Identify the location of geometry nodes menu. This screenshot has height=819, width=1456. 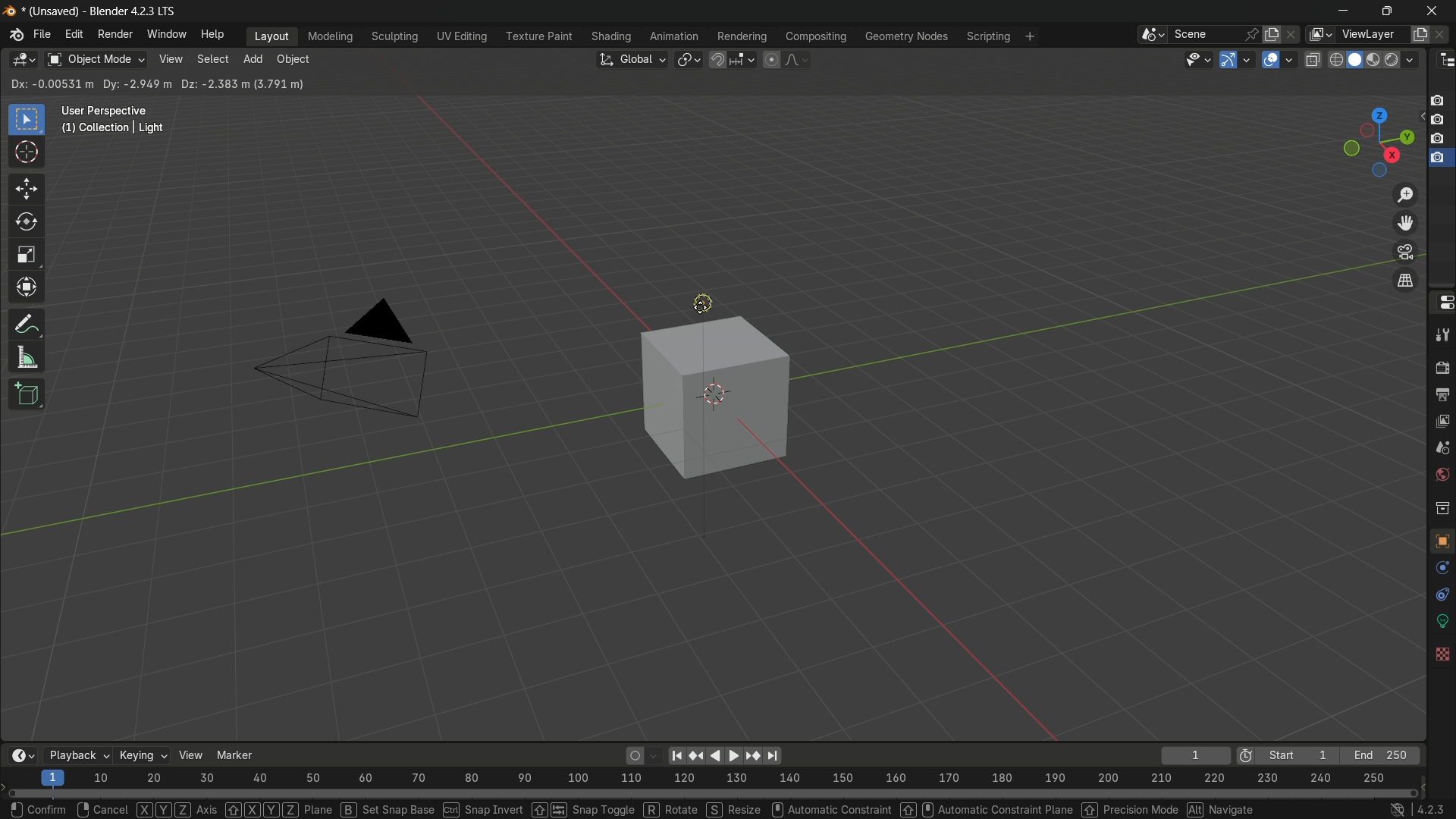
(905, 36).